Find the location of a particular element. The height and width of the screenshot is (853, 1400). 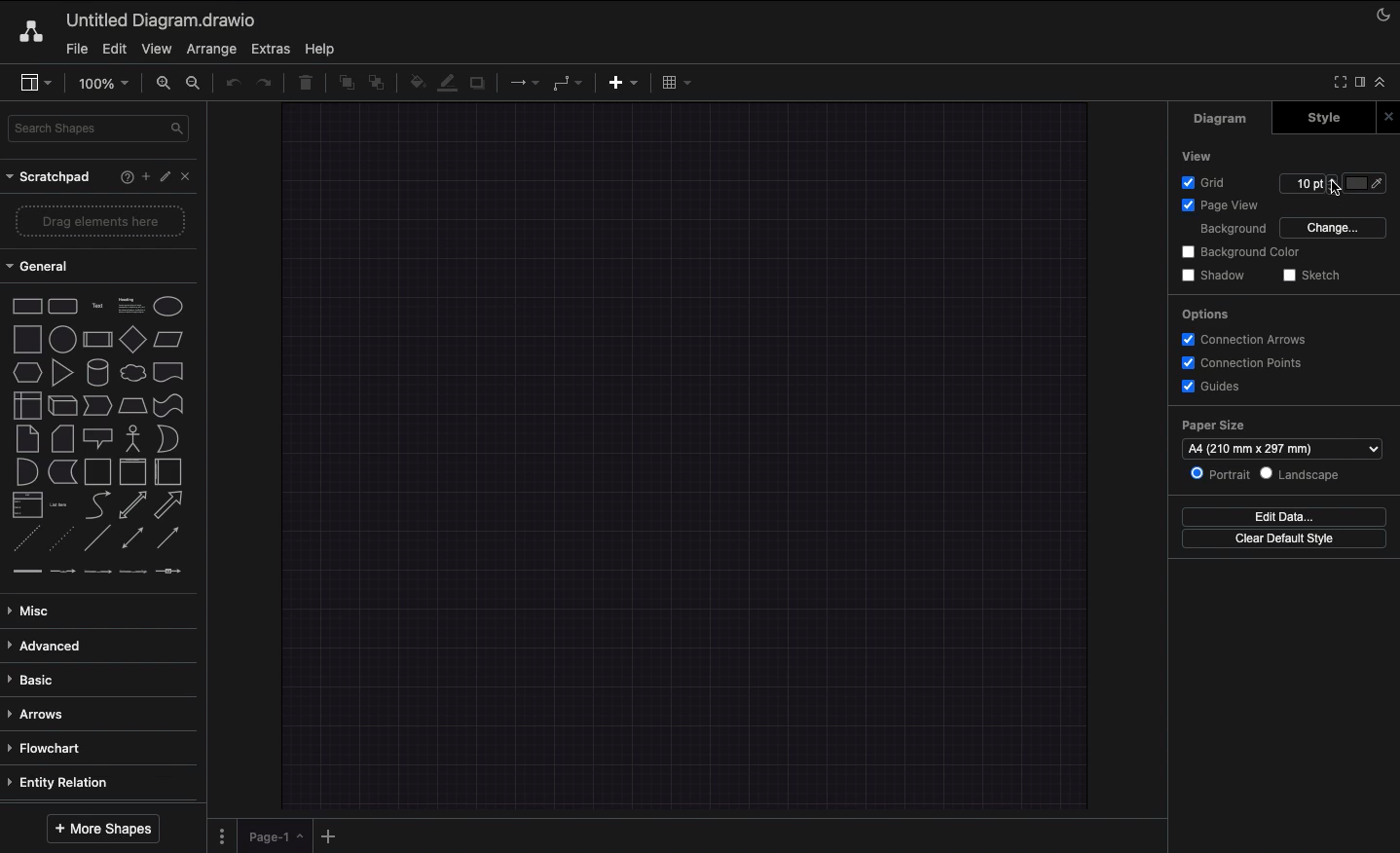

Undo is located at coordinates (231, 85).